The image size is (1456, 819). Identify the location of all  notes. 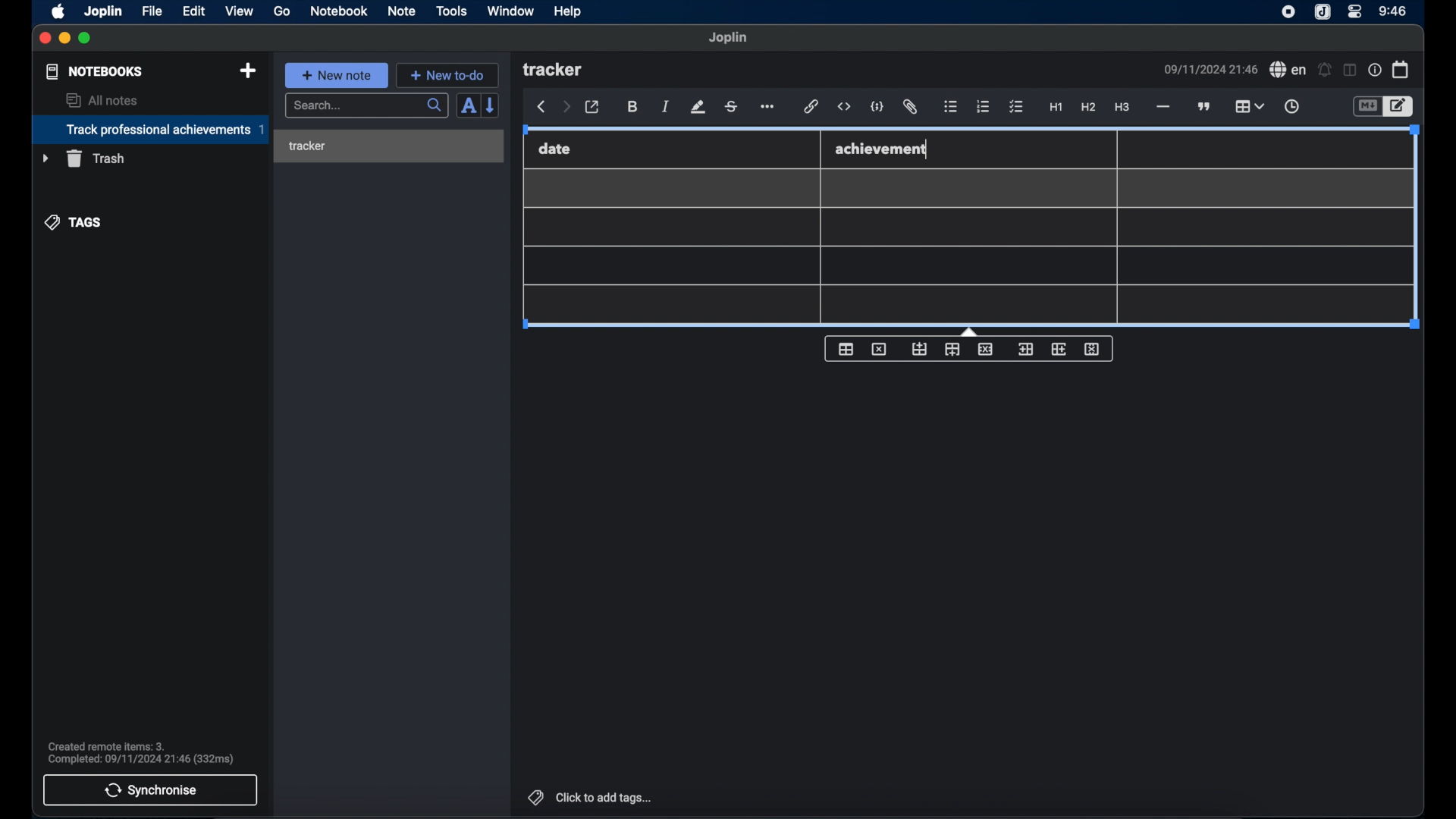
(102, 100).